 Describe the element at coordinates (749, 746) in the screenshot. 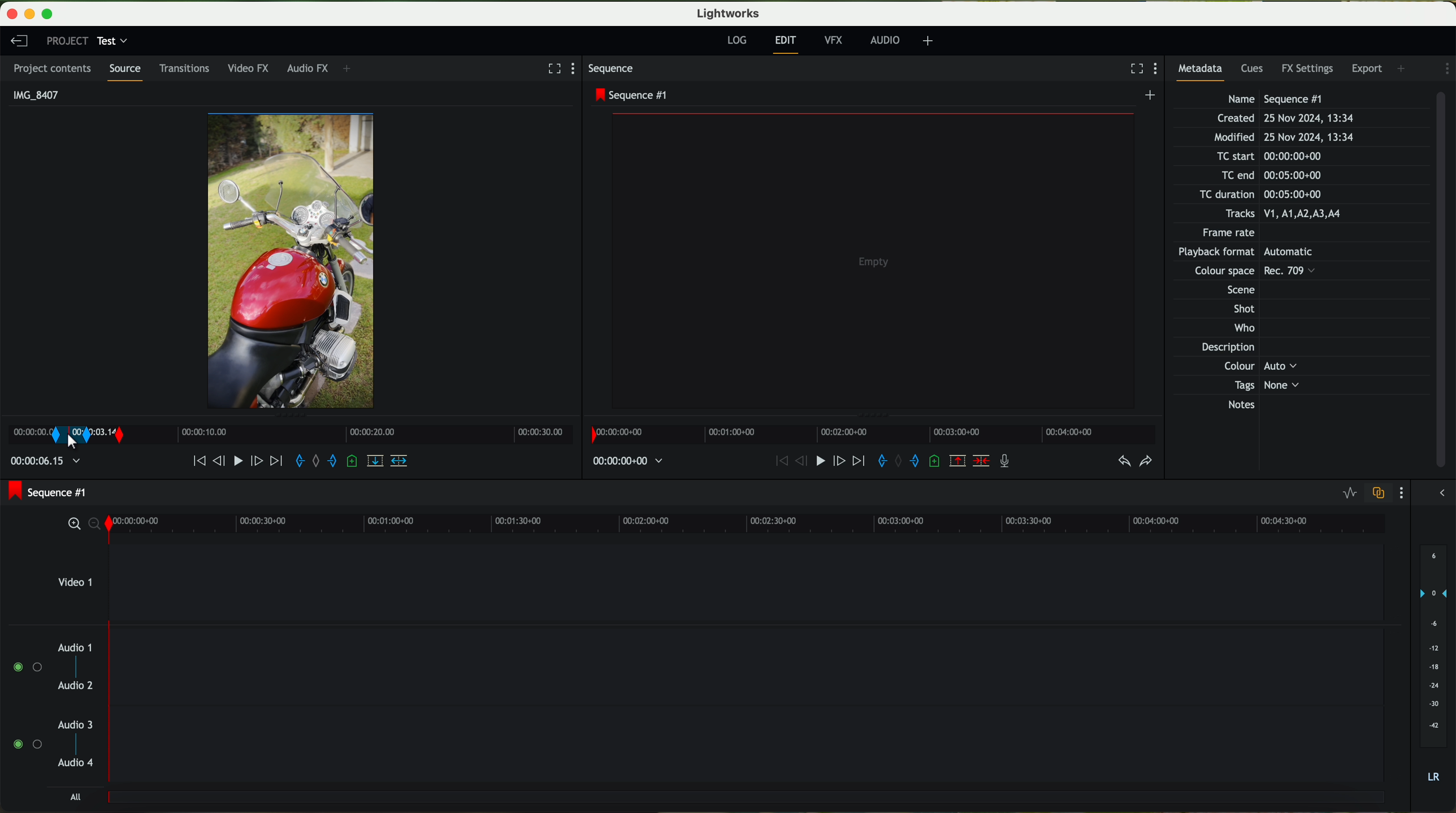

I see `track` at that location.